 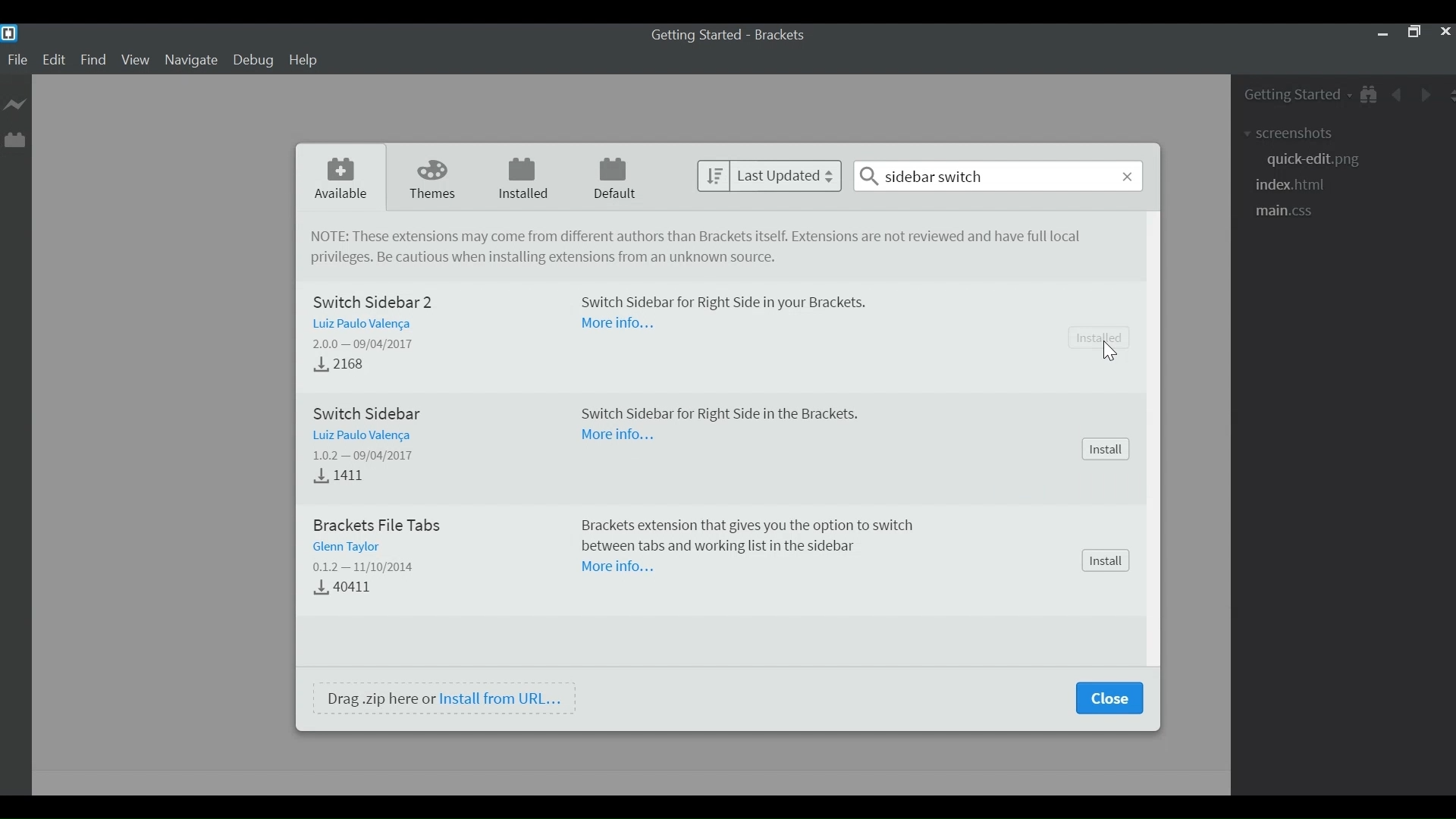 I want to click on Switch Sidebar for right side in your Brackets, so click(x=719, y=304).